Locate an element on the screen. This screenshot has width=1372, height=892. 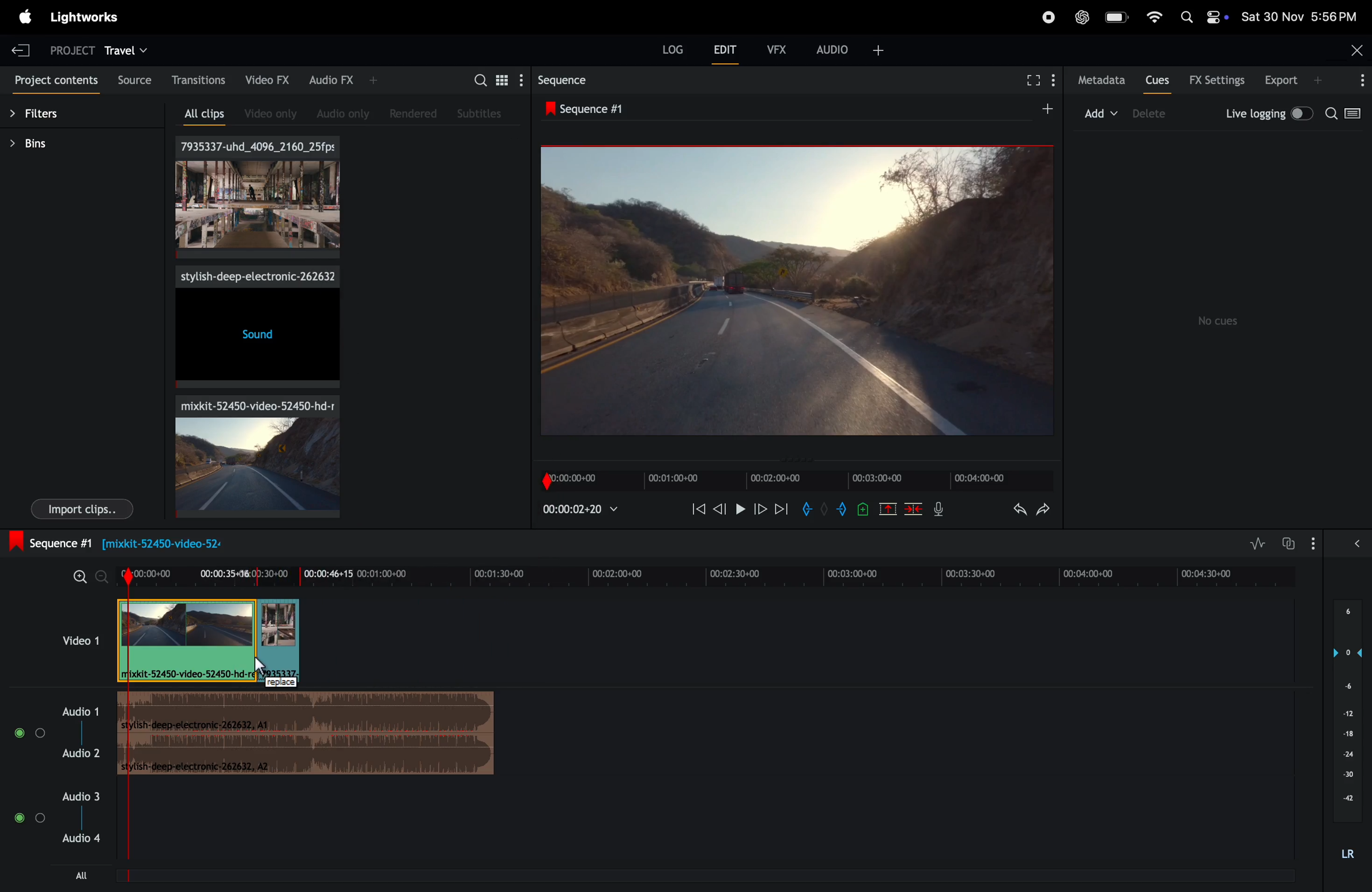
close is located at coordinates (1356, 48).